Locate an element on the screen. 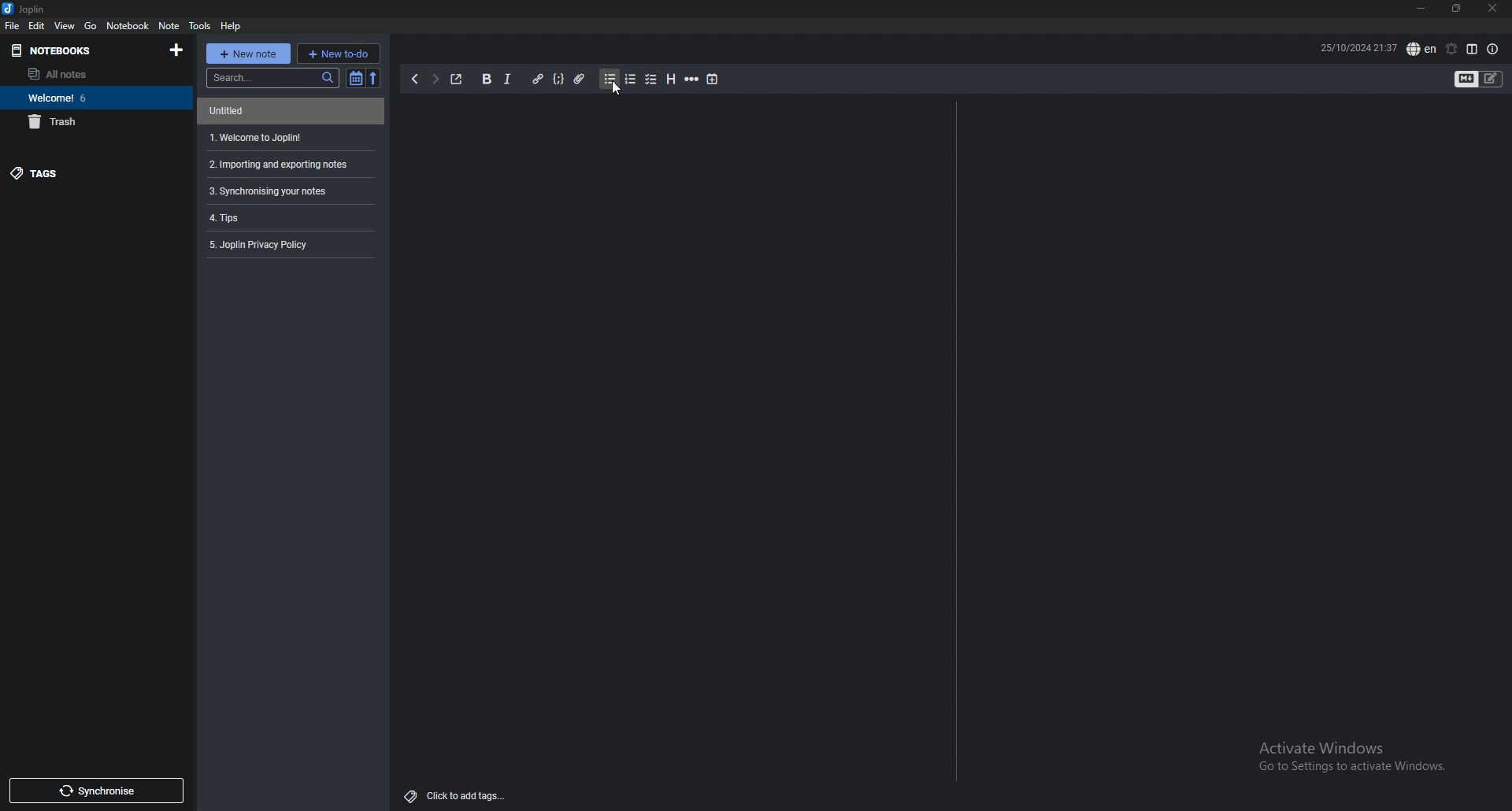 This screenshot has height=811, width=1512. Untitled is located at coordinates (241, 111).